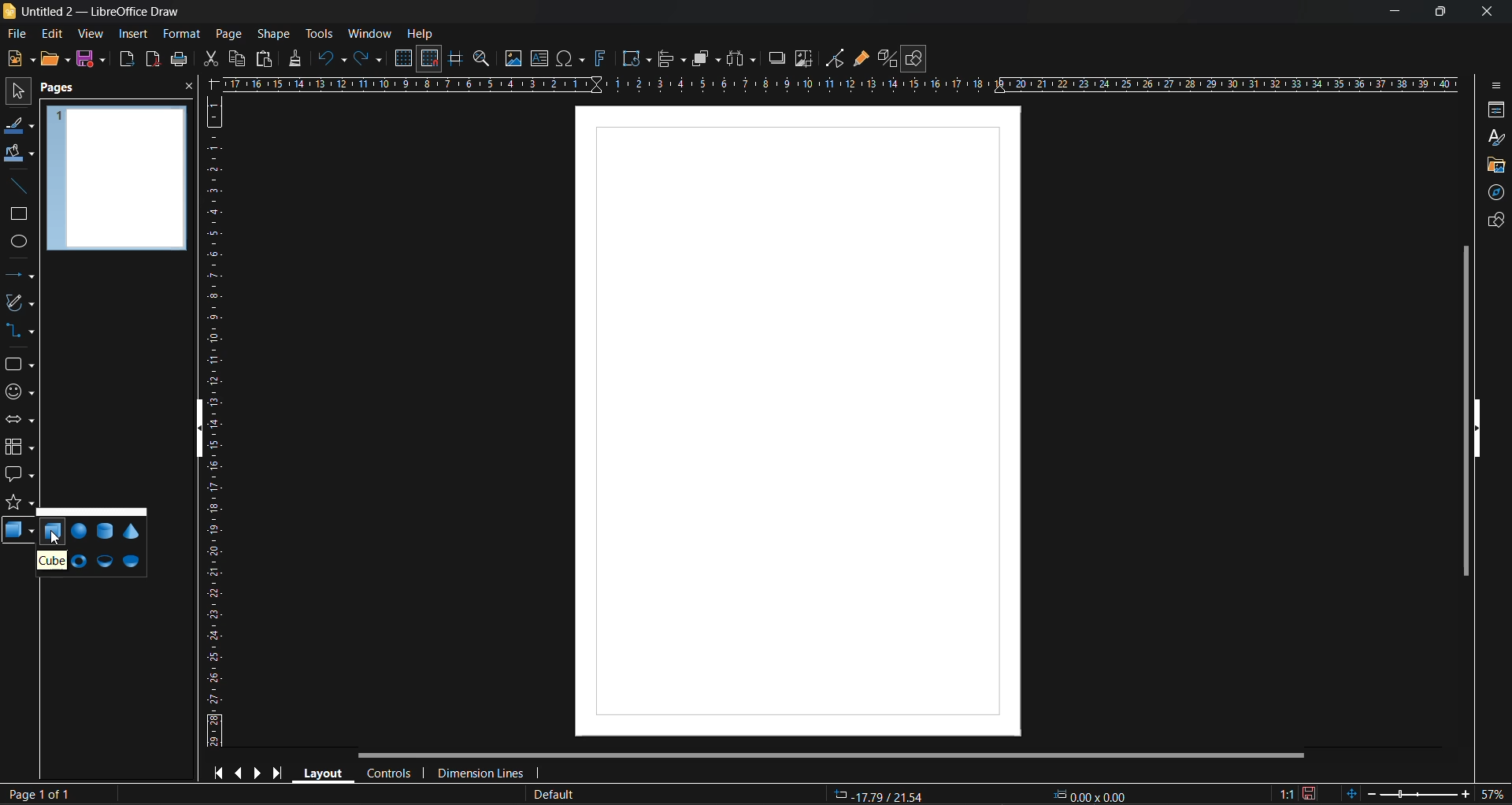  What do you see at coordinates (20, 476) in the screenshot?
I see `callout shapes` at bounding box center [20, 476].